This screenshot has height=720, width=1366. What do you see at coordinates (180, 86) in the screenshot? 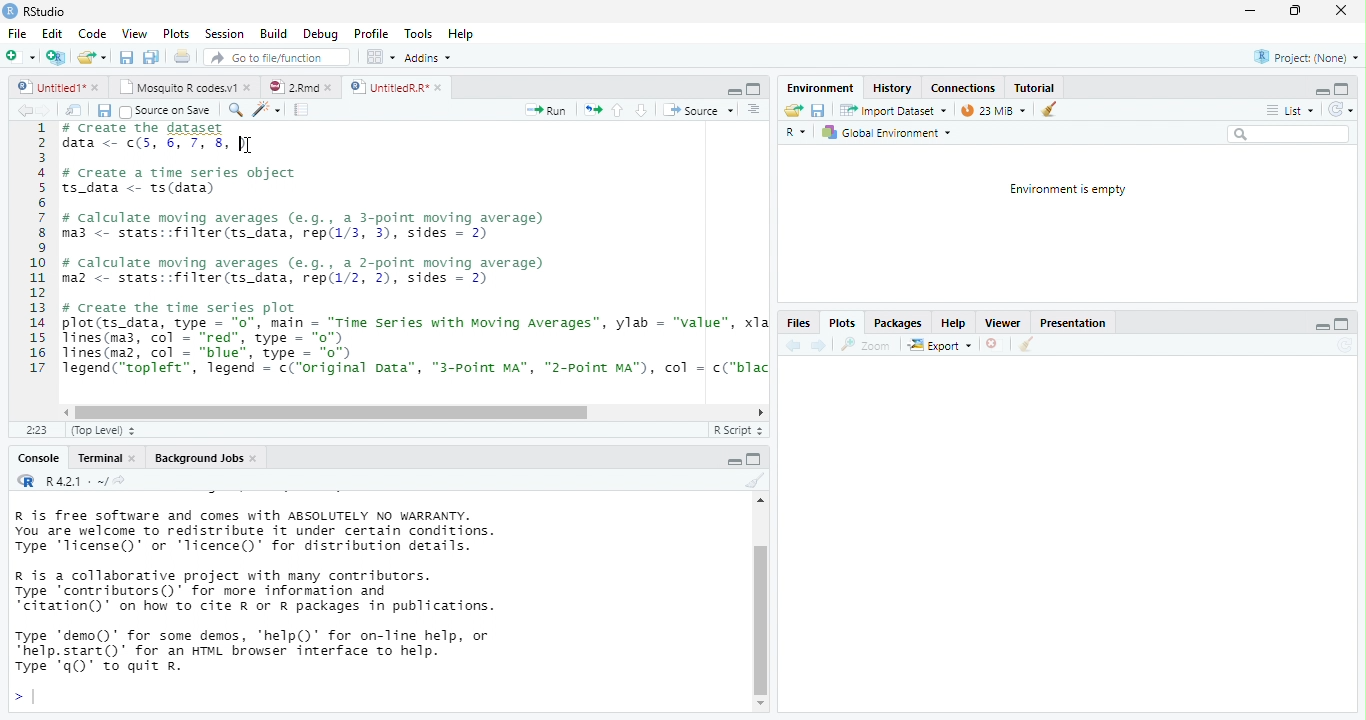
I see `Mosquito R codes.v1` at bounding box center [180, 86].